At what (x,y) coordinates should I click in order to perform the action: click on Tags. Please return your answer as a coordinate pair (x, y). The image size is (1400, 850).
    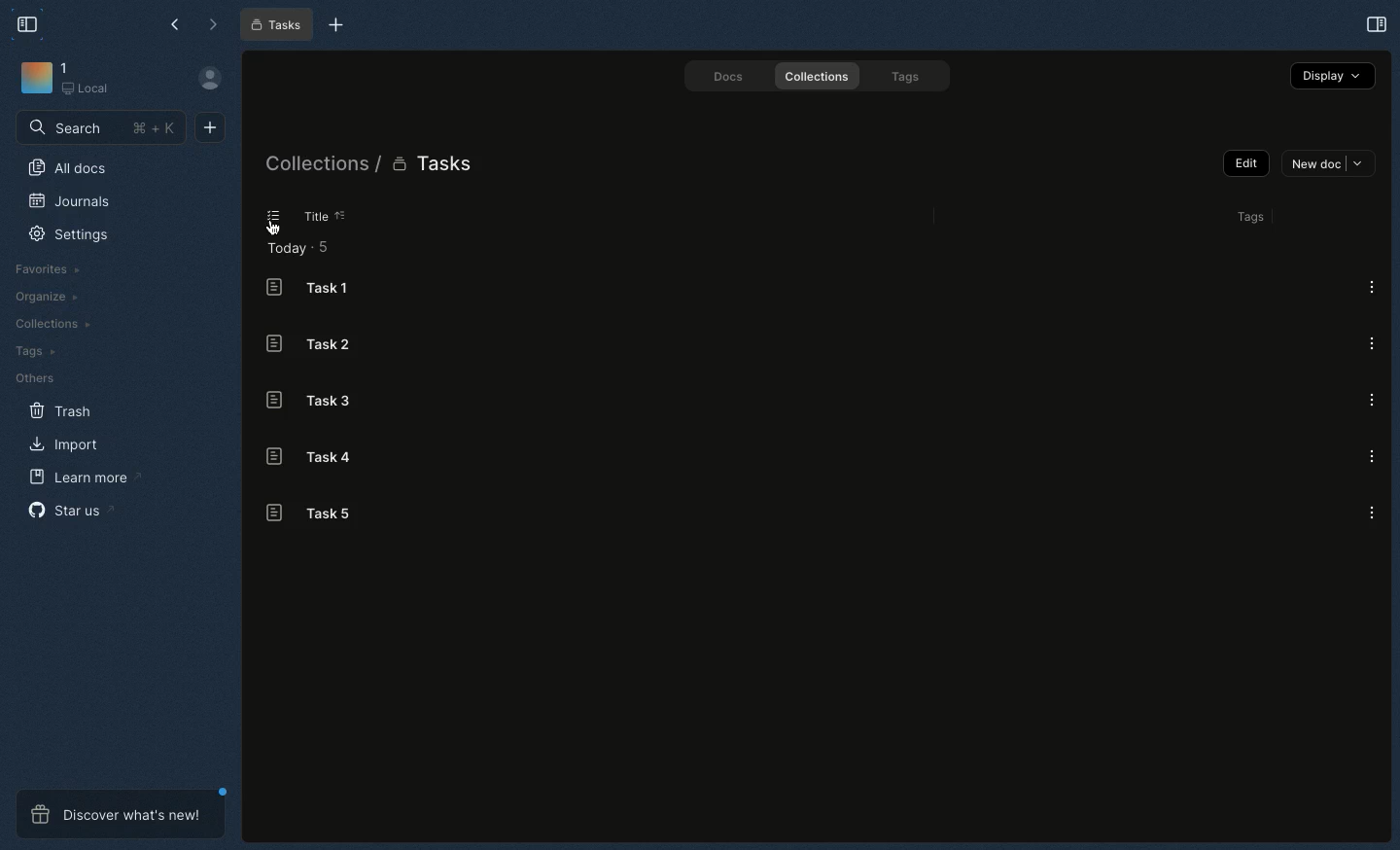
    Looking at the image, I should click on (30, 350).